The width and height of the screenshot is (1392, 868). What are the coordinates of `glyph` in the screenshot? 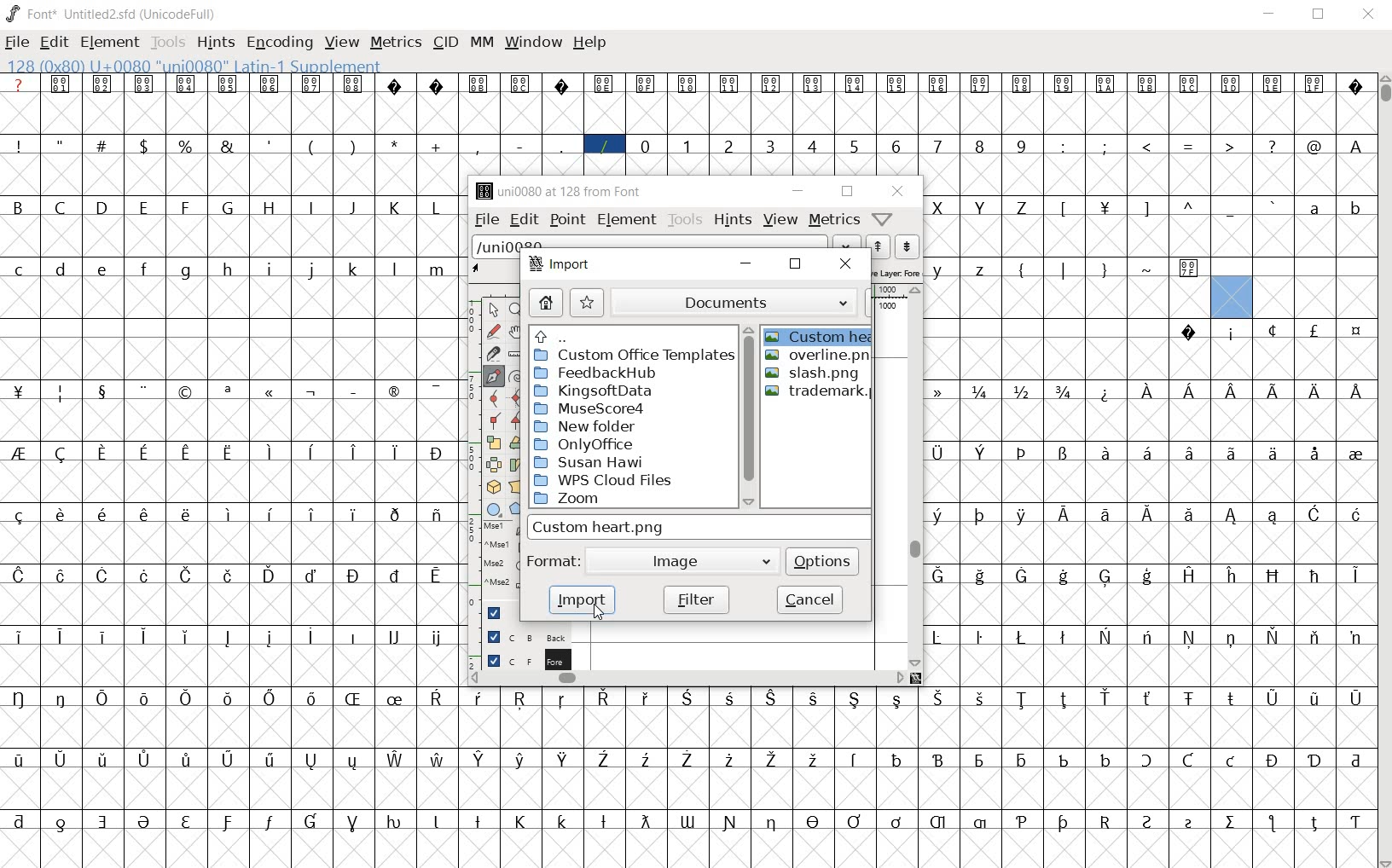 It's located at (854, 148).